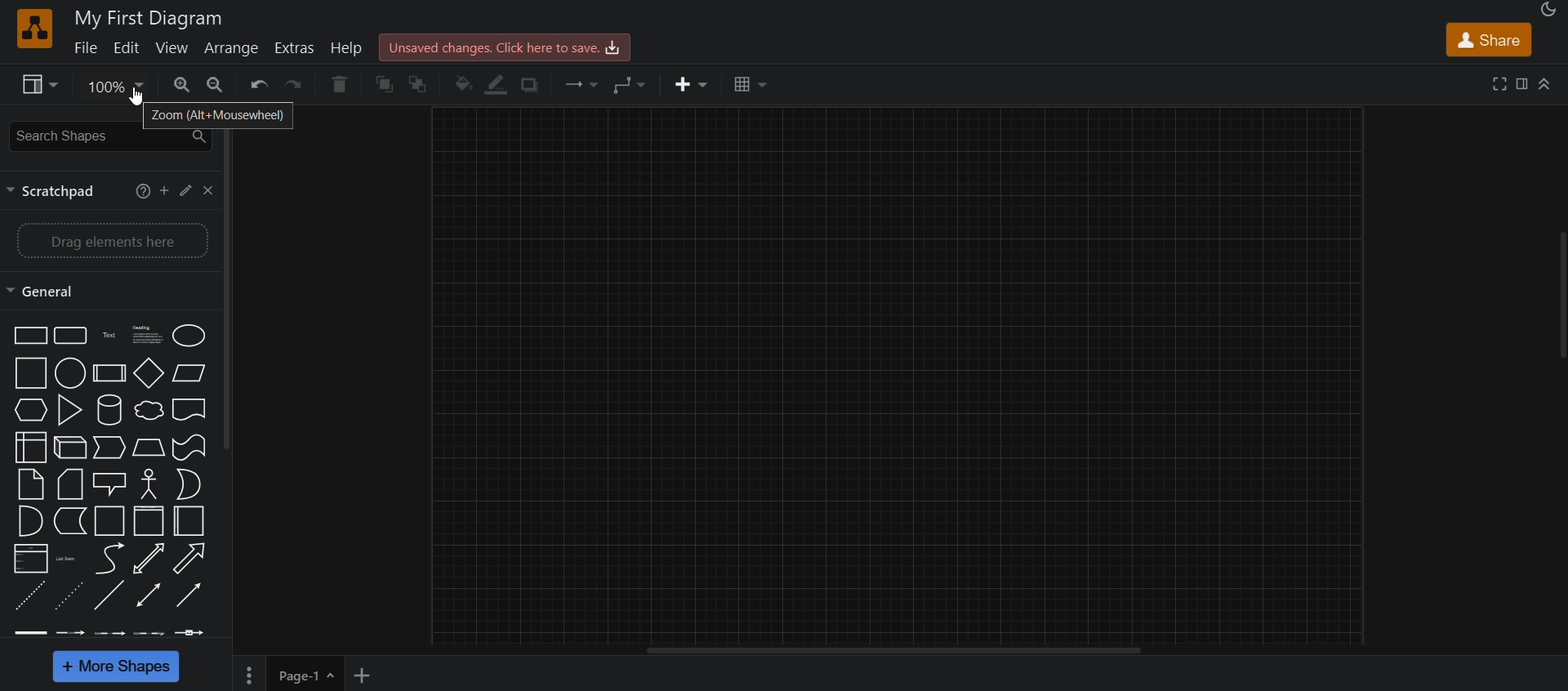 The height and width of the screenshot is (691, 1568). I want to click on zoom, so click(118, 87).